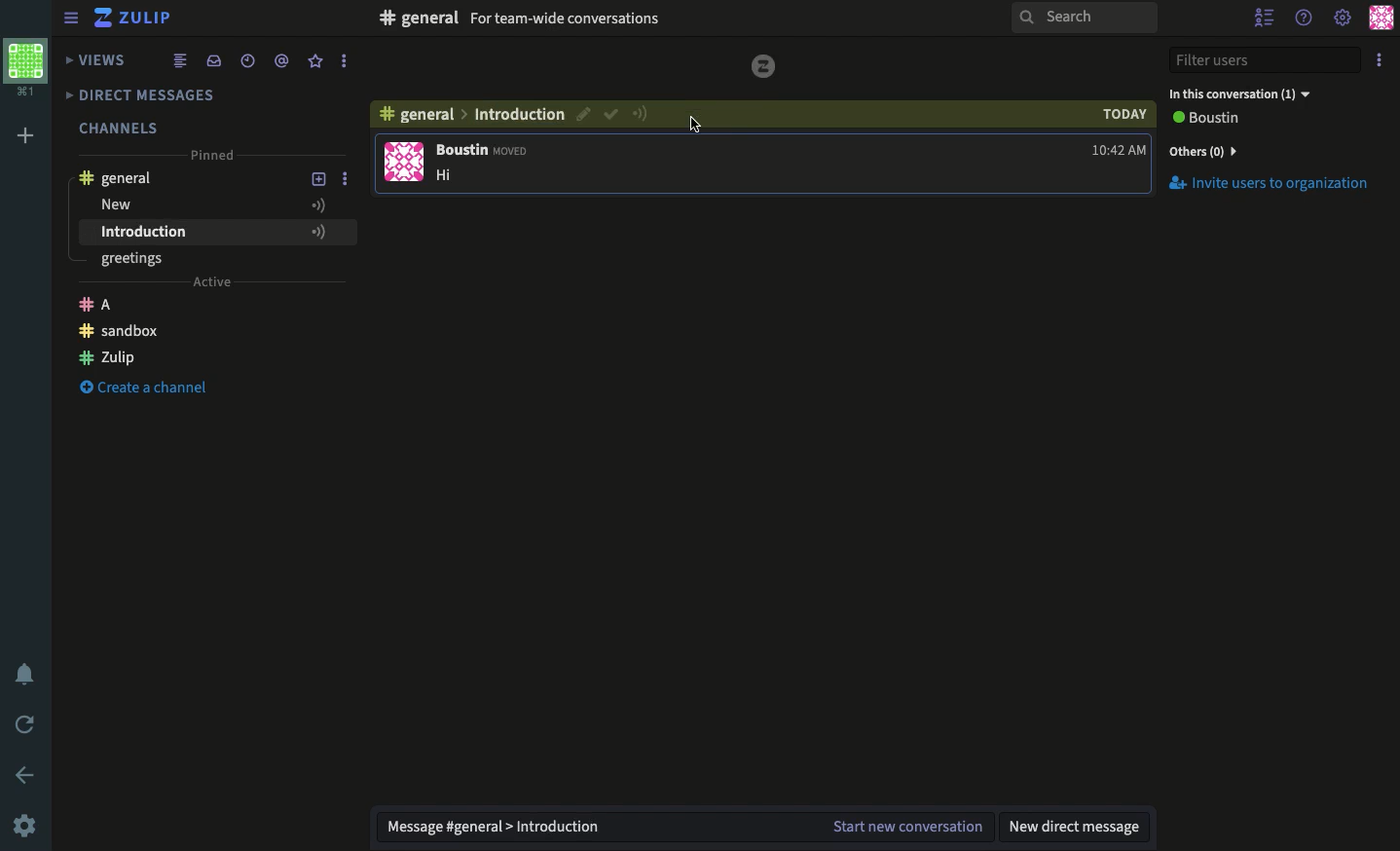  I want to click on In this conversation, so click(1241, 92).